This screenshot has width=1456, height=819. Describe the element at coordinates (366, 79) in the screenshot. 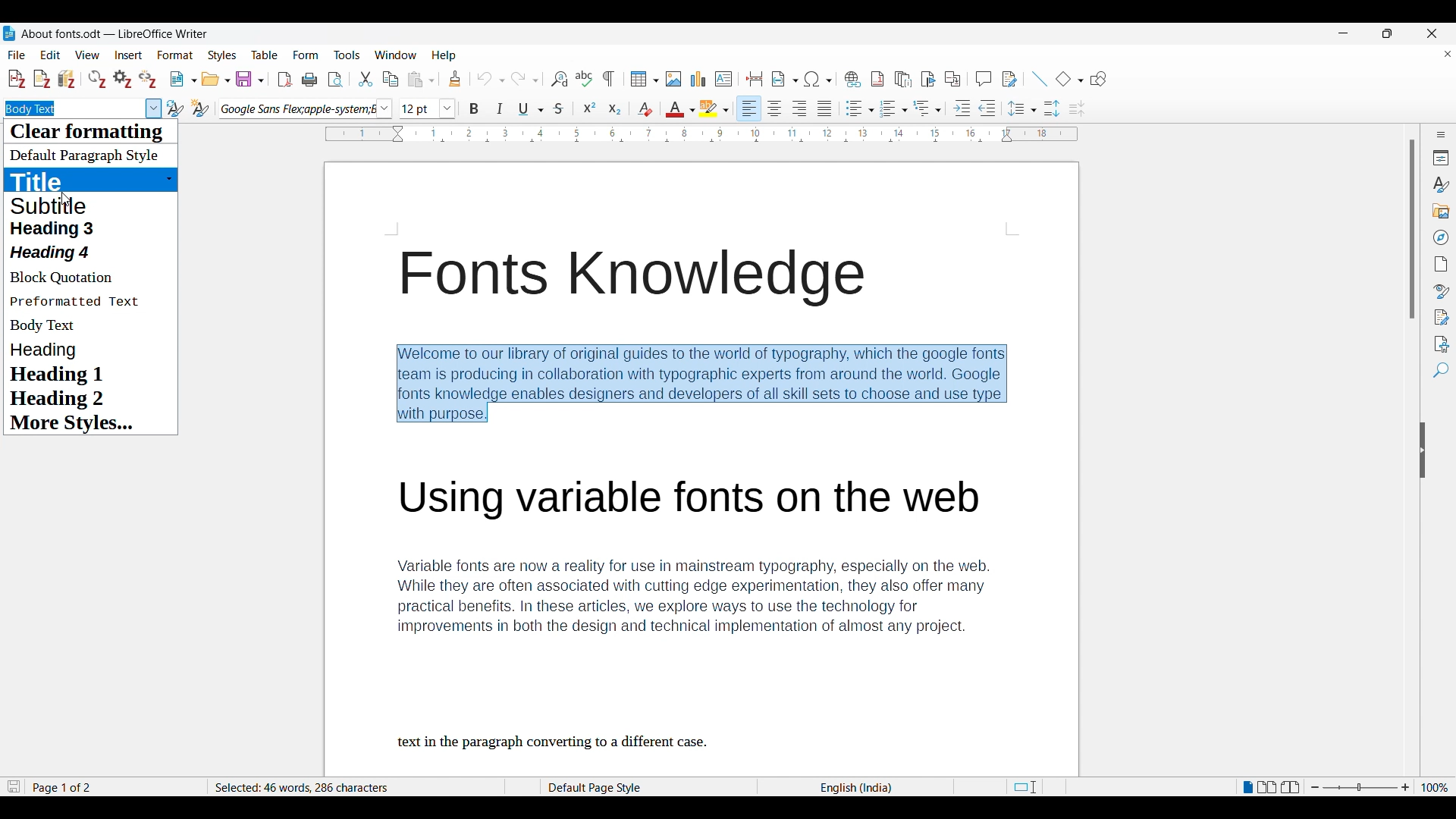

I see `Cut` at that location.